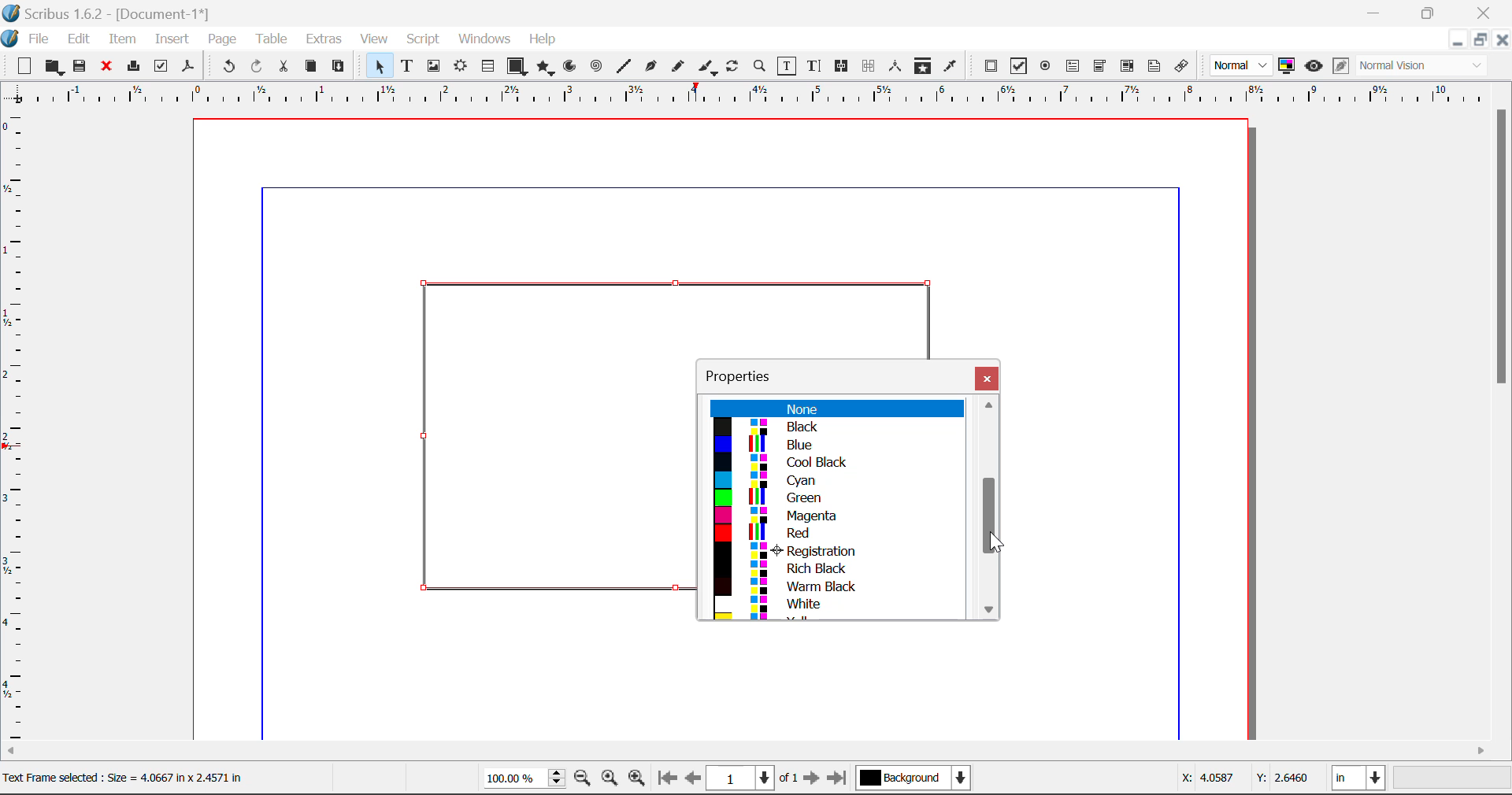 The image size is (1512, 795). What do you see at coordinates (1377, 13) in the screenshot?
I see `Restore Down` at bounding box center [1377, 13].